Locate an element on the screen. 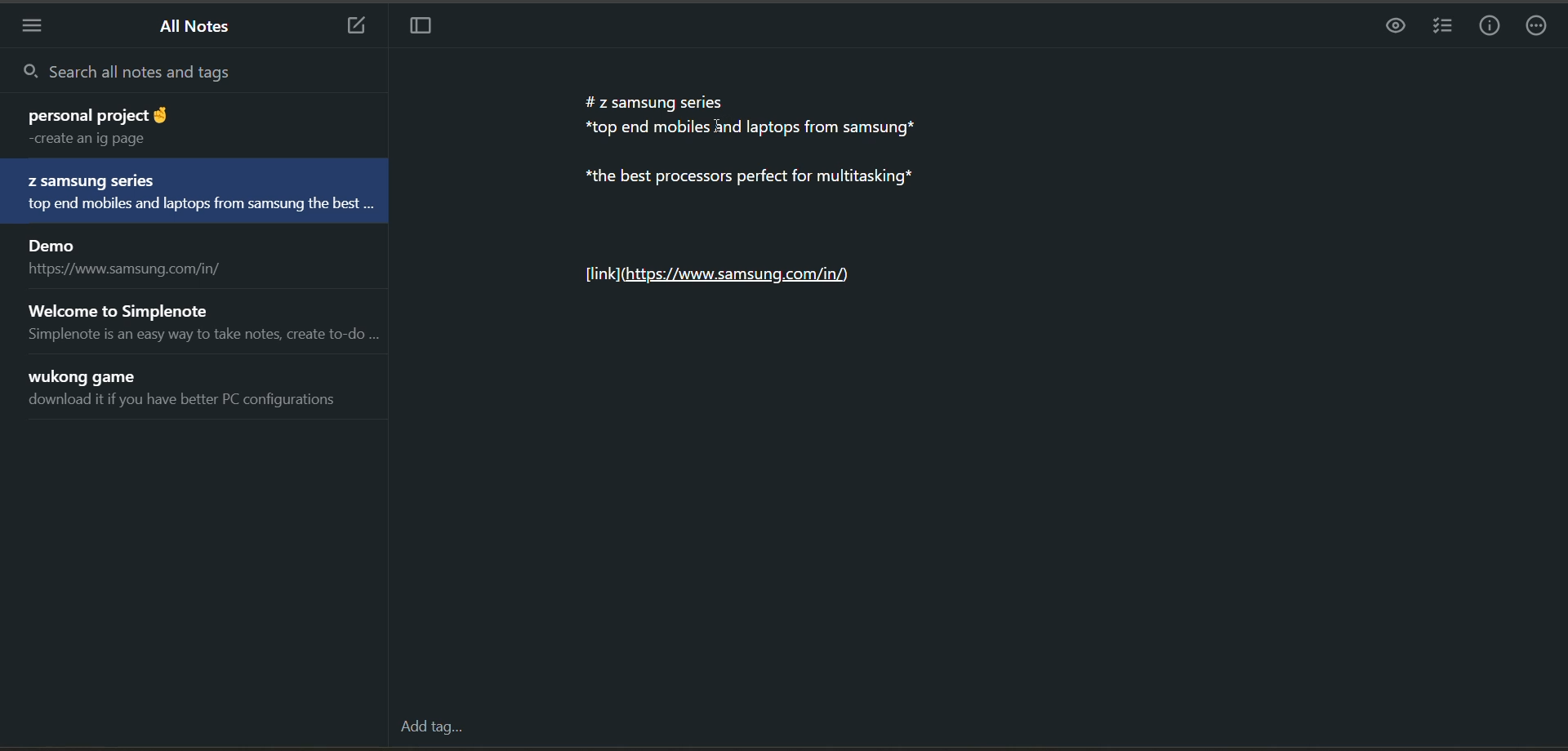  all notes is located at coordinates (200, 28).